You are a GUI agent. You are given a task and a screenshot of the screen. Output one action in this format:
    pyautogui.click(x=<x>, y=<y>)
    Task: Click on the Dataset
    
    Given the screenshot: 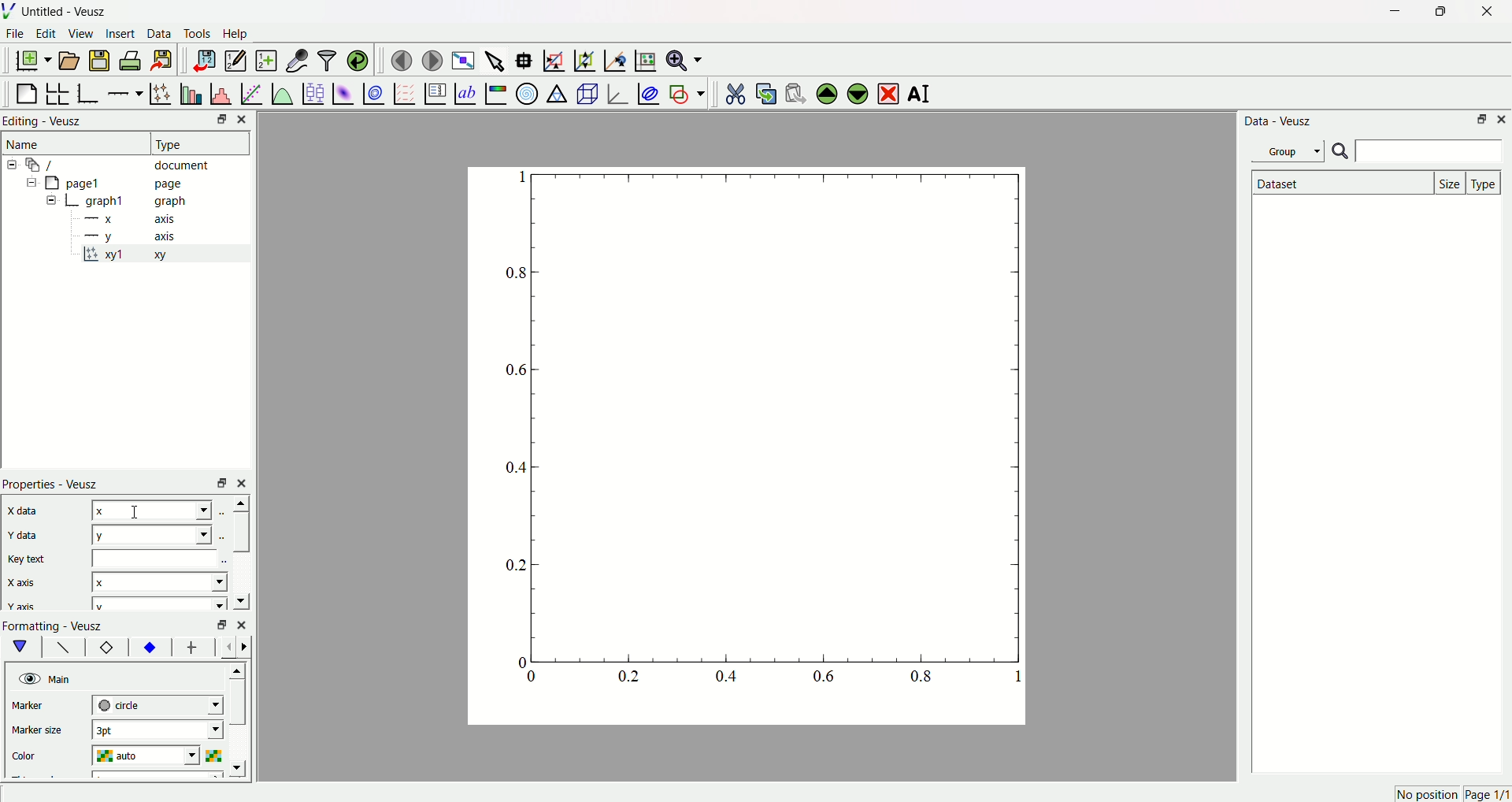 What is the action you would take?
    pyautogui.click(x=1340, y=183)
    